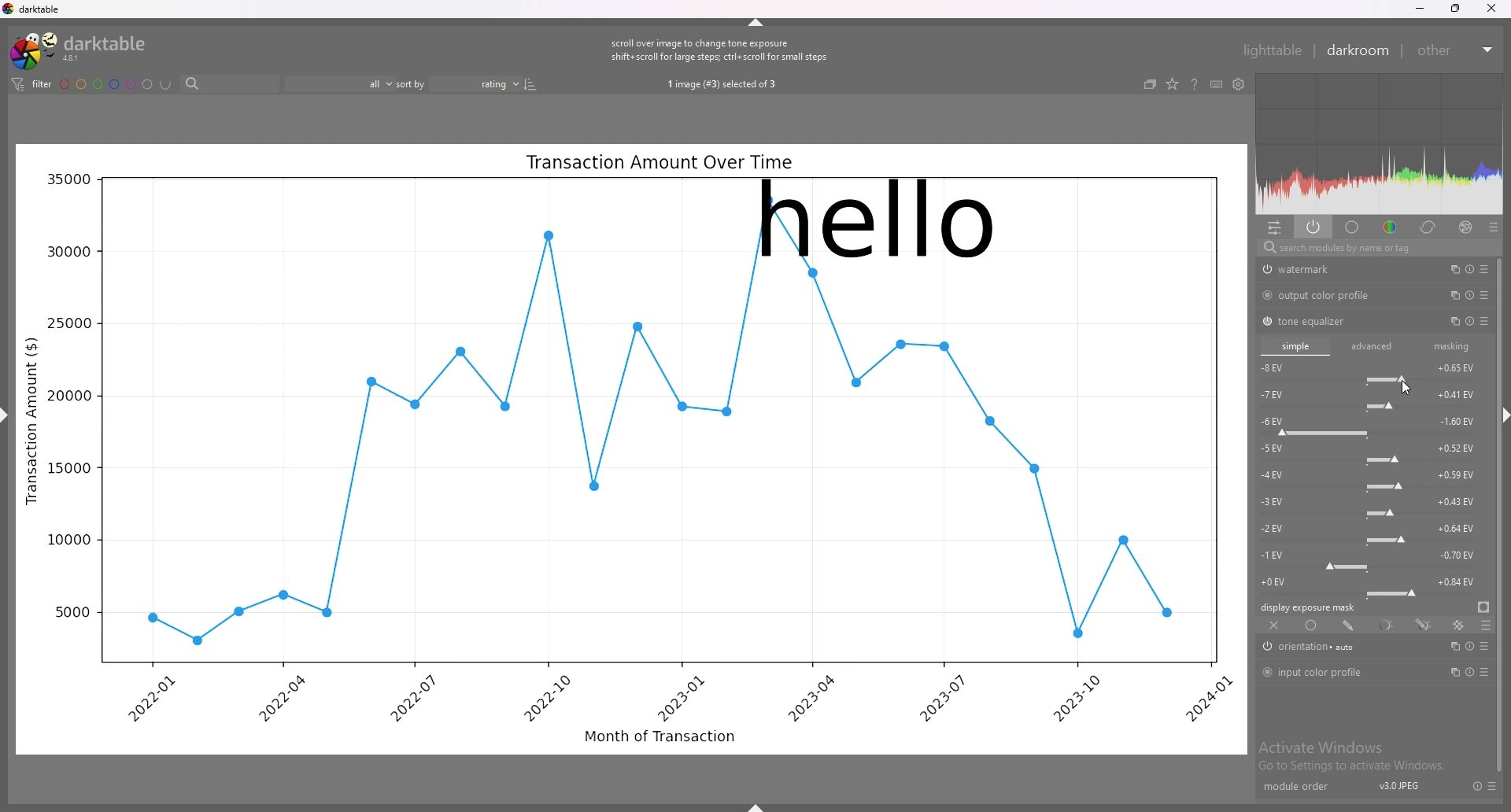 The height and width of the screenshot is (812, 1511). Describe the element at coordinates (166, 85) in the screenshot. I see `including color labels` at that location.